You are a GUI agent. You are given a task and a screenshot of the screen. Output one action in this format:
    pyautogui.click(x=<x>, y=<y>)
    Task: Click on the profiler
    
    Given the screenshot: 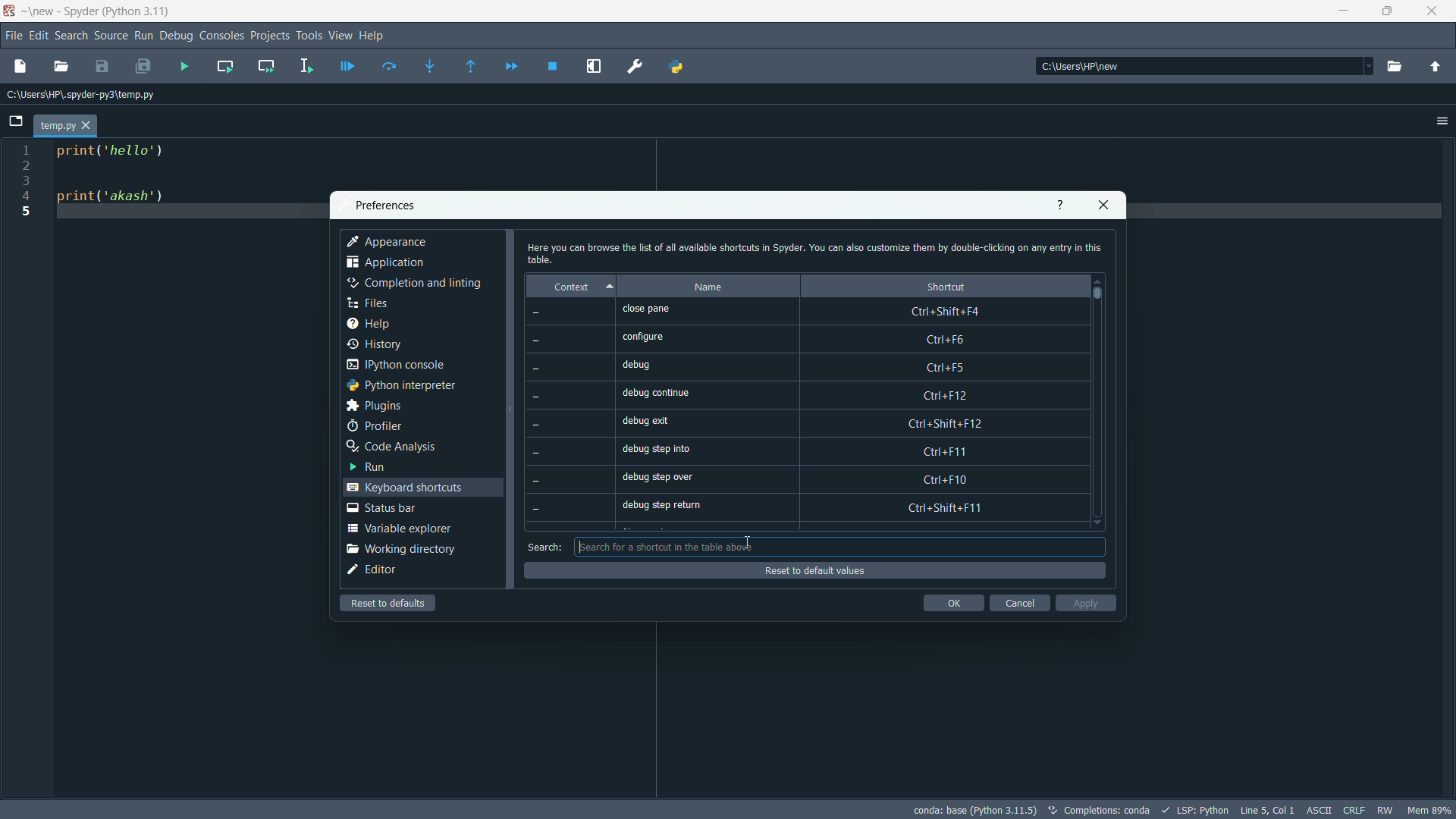 What is the action you would take?
    pyautogui.click(x=375, y=424)
    